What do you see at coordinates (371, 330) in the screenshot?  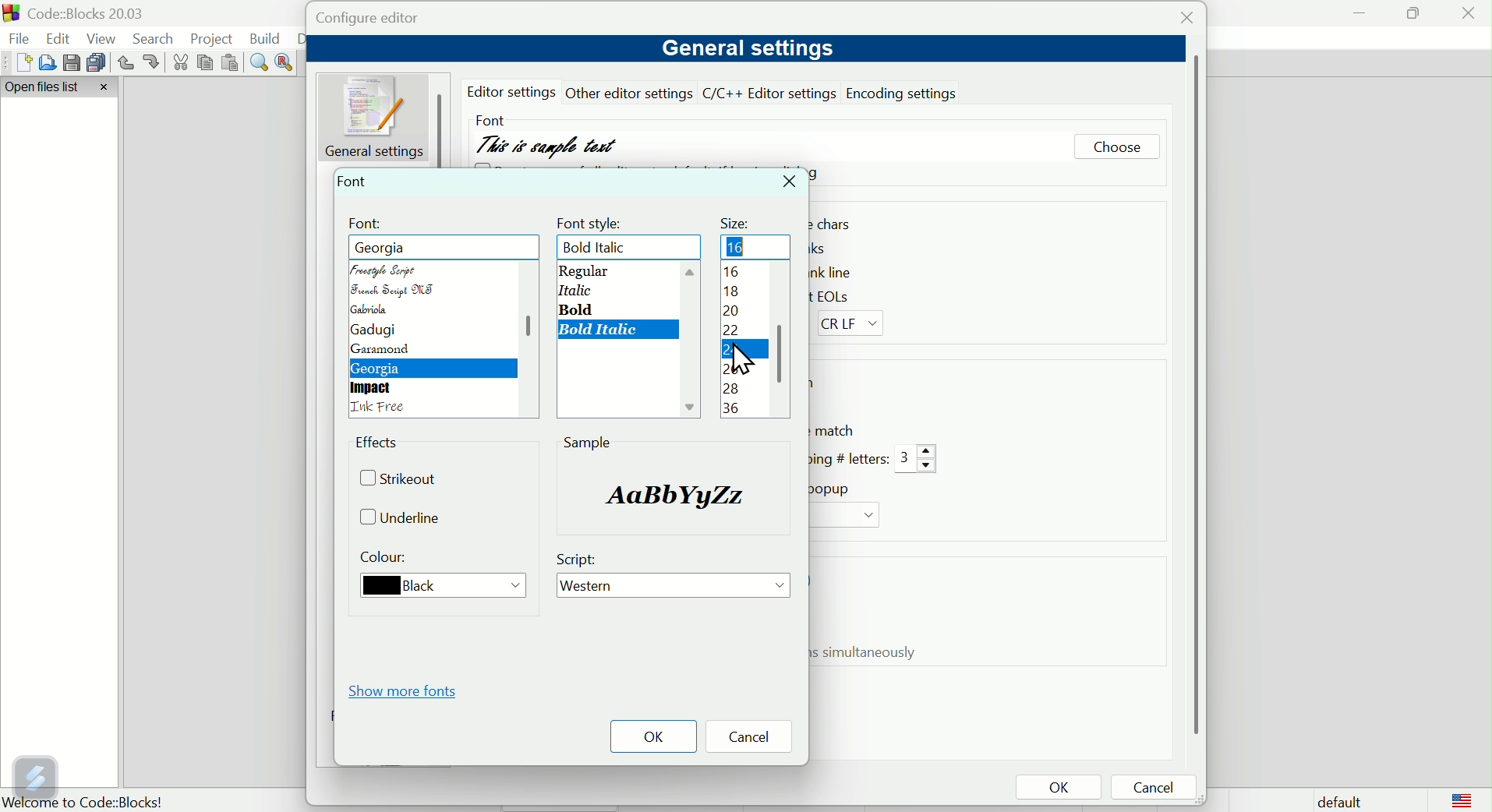 I see `gadugi` at bounding box center [371, 330].